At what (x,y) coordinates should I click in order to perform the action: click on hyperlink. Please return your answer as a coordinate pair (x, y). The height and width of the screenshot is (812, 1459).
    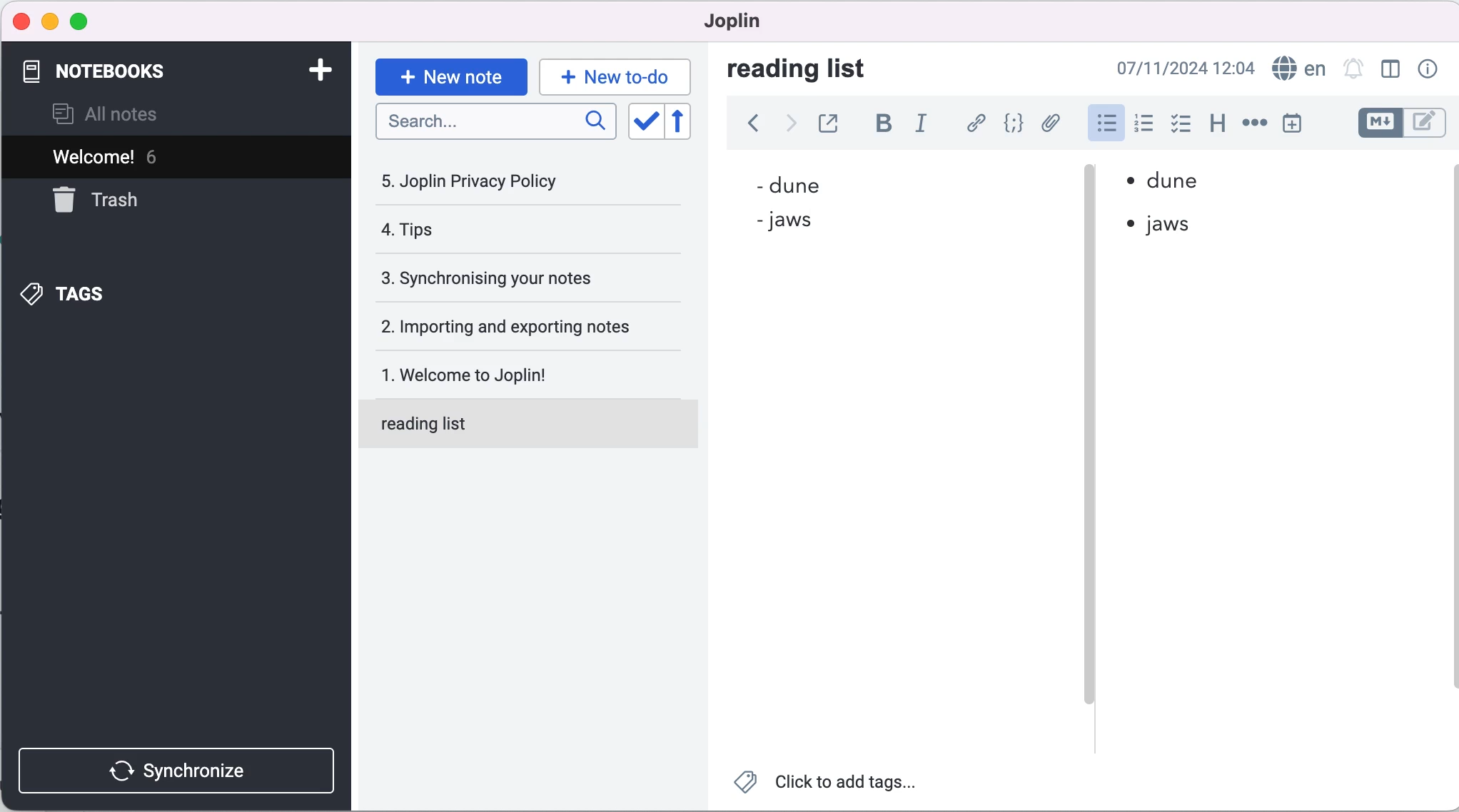
    Looking at the image, I should click on (976, 123).